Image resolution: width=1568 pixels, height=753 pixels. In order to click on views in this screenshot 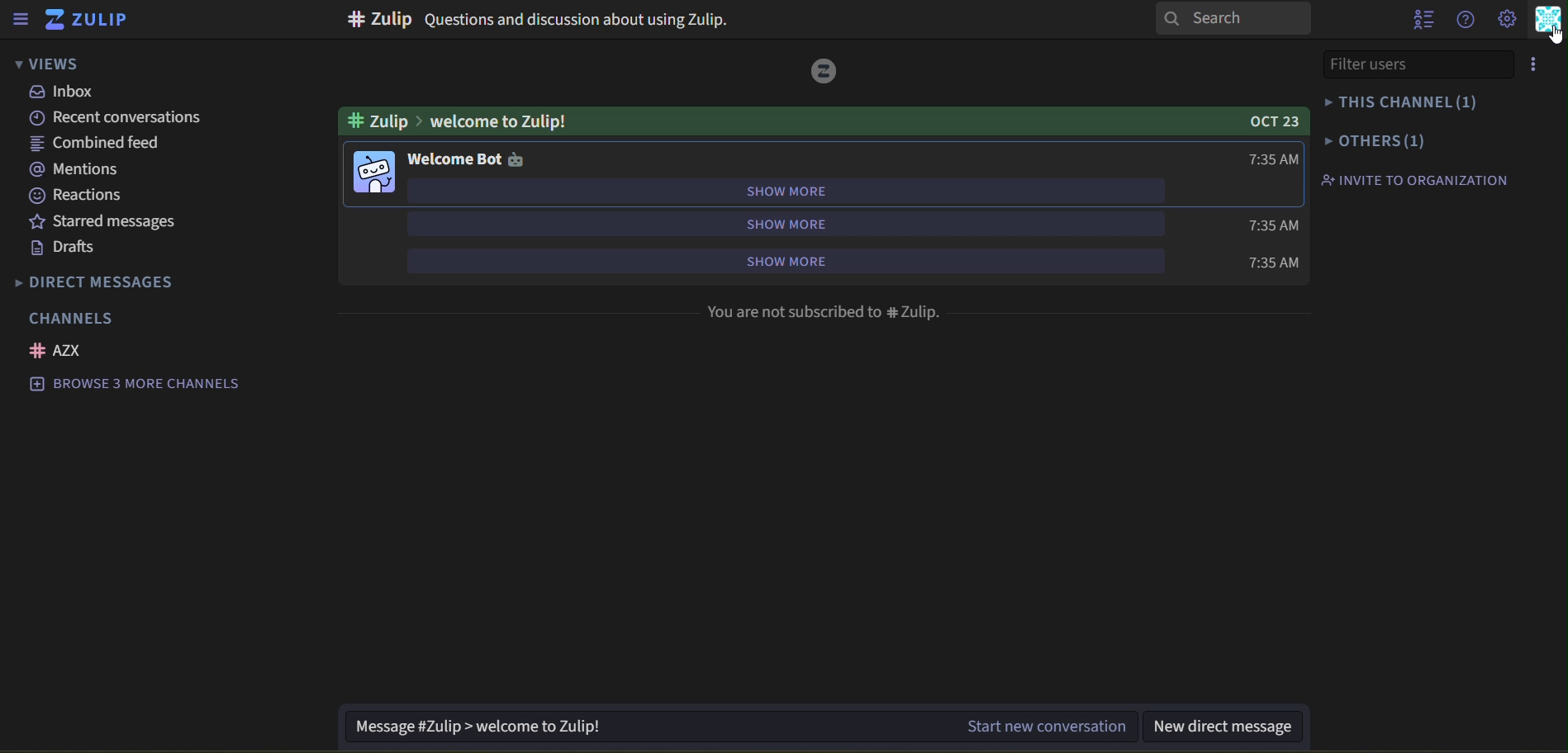, I will do `click(59, 64)`.